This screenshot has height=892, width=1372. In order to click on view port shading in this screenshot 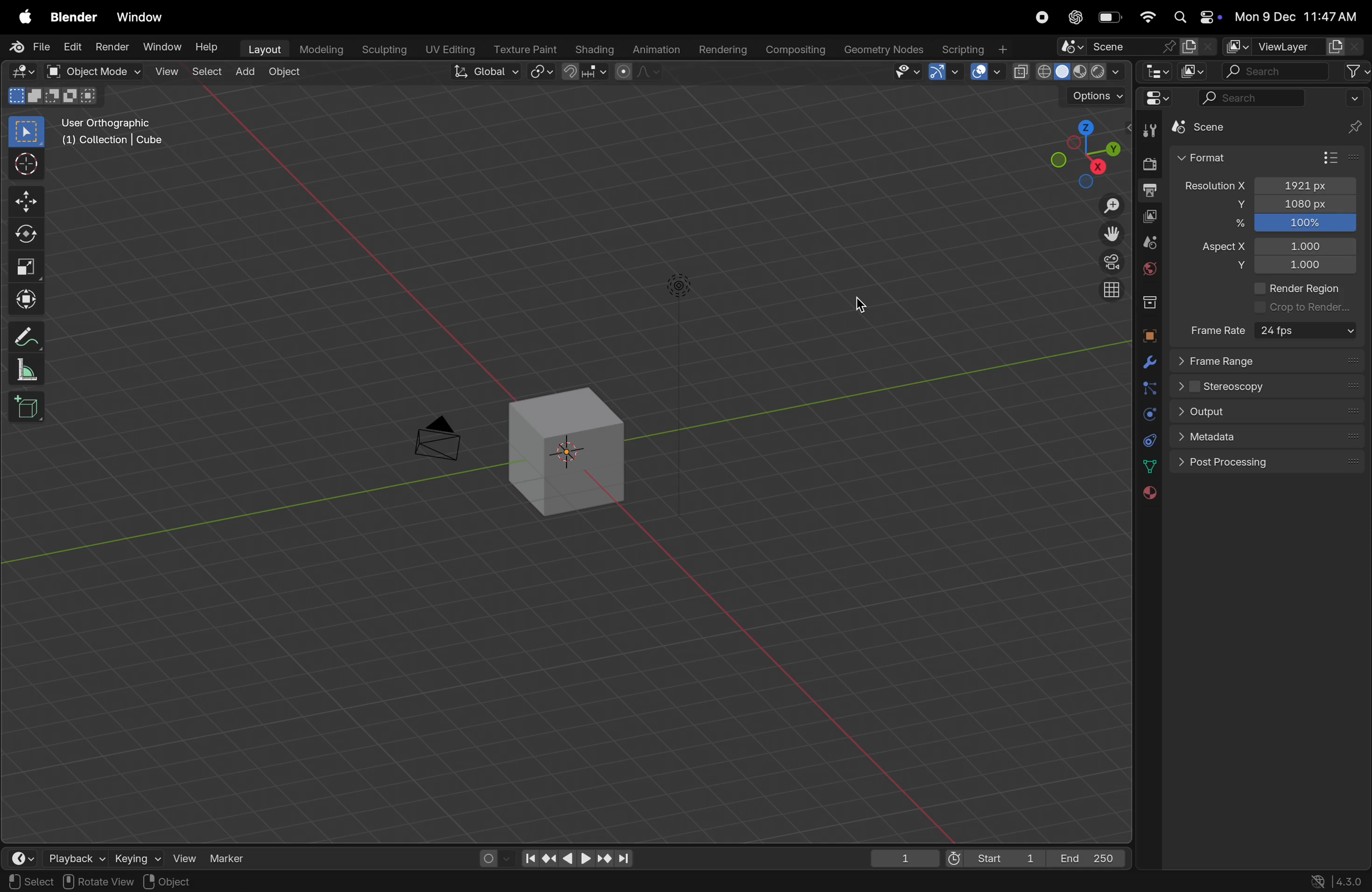, I will do `click(1068, 72)`.